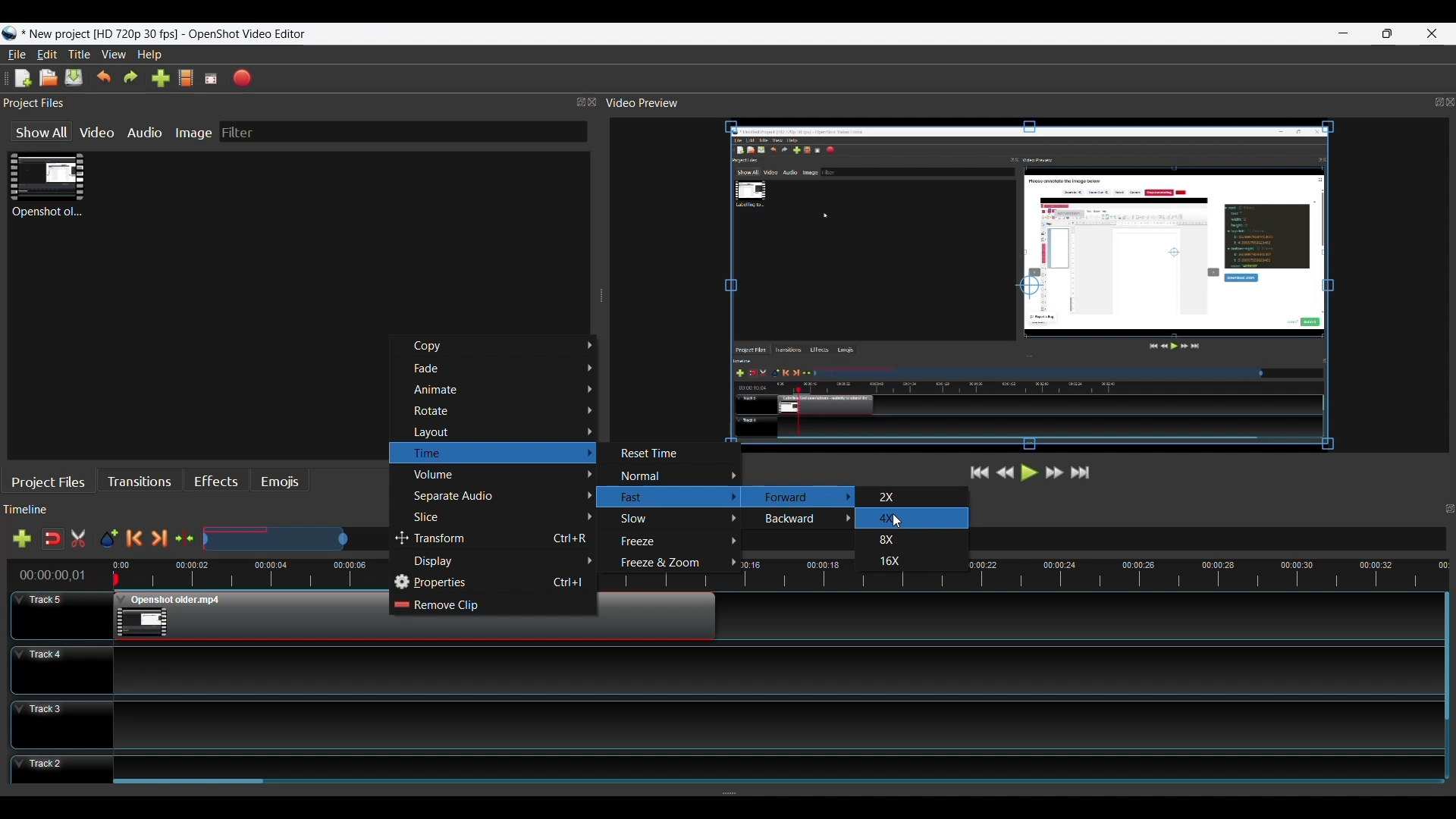 The height and width of the screenshot is (819, 1456). I want to click on Track Panel, so click(774, 764).